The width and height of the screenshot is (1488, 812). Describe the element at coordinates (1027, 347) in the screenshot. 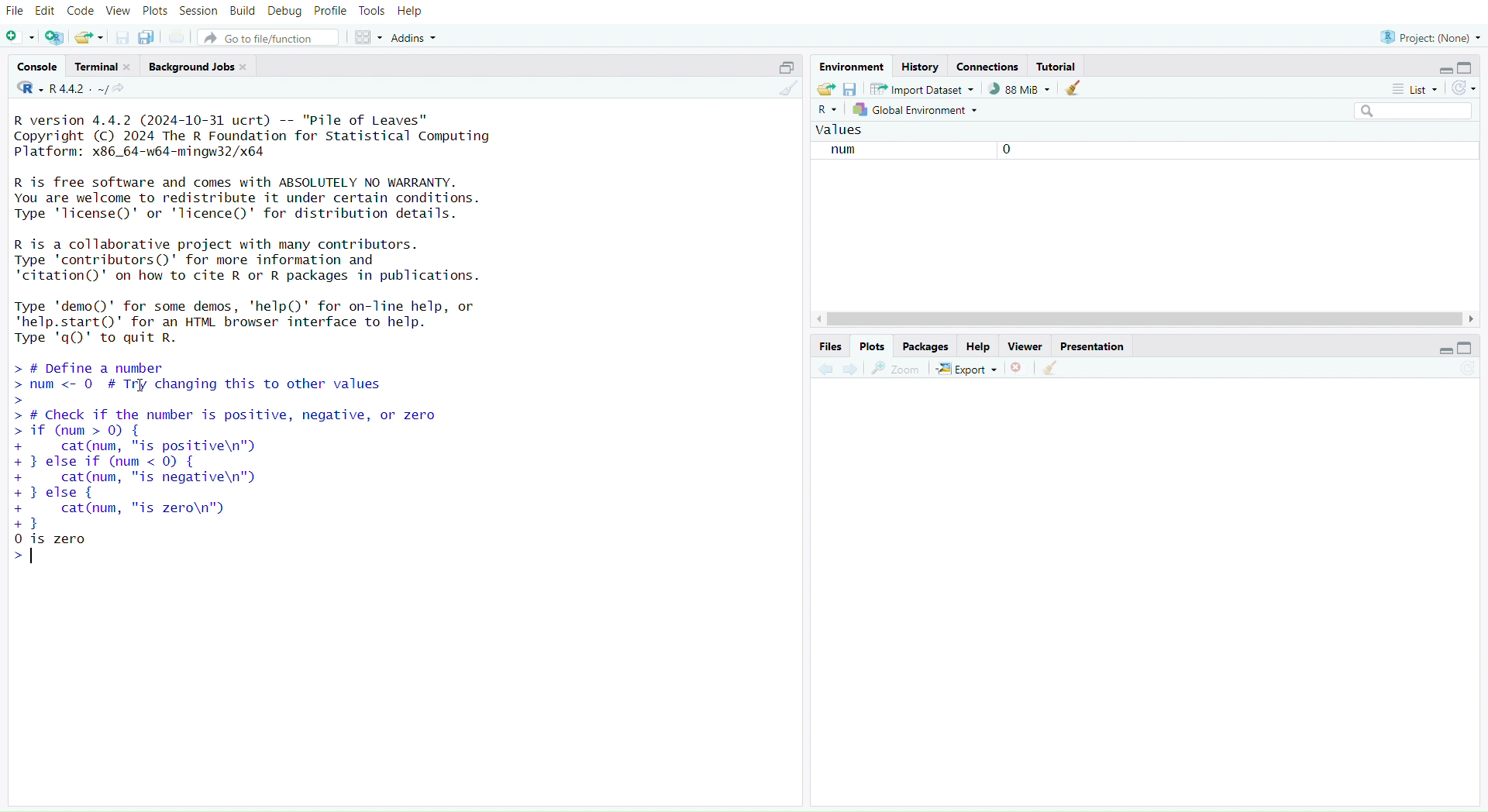

I see `viewer` at that location.